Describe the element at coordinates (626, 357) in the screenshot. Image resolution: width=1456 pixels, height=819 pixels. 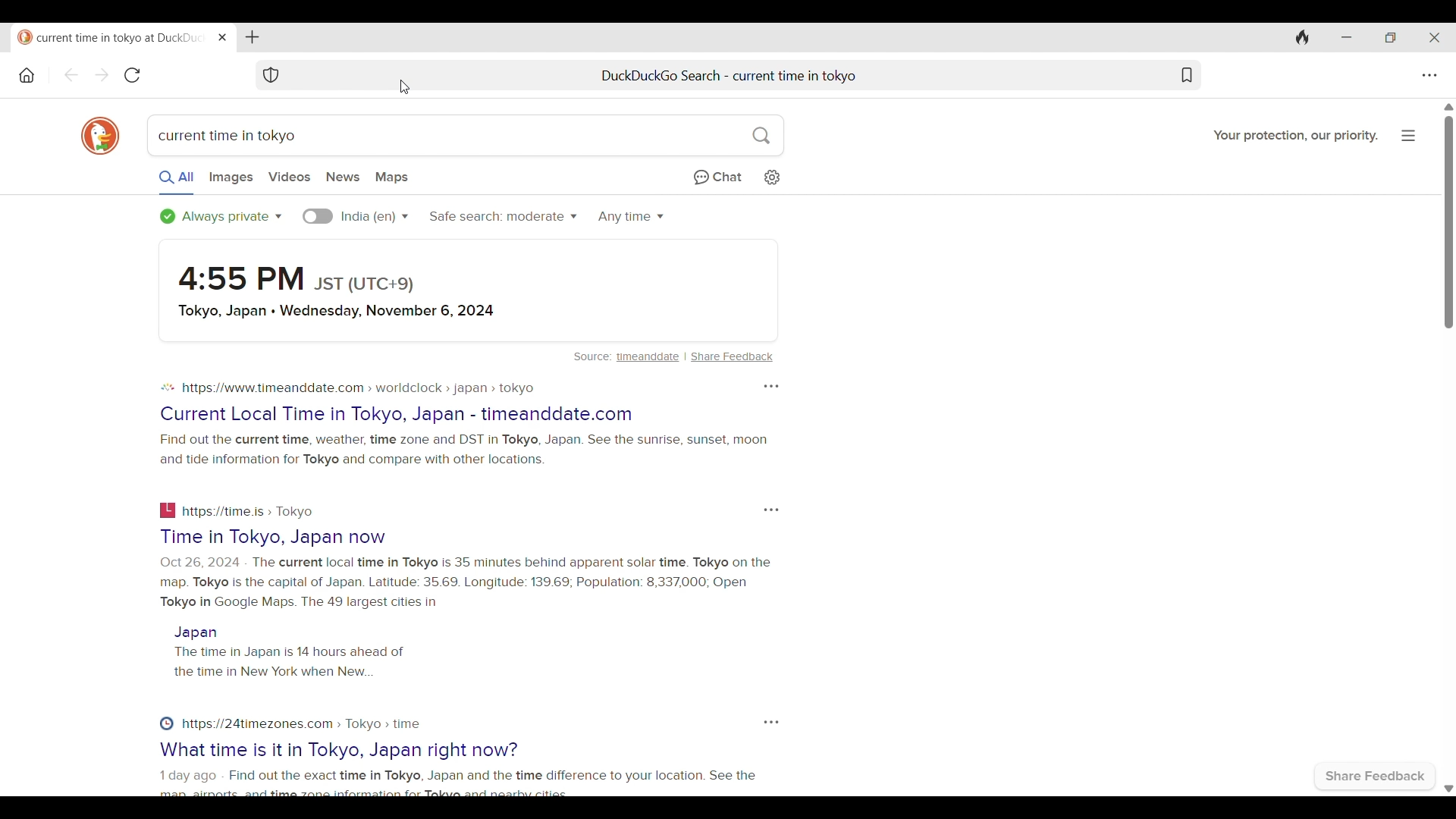
I see `Source: timeanddate` at that location.